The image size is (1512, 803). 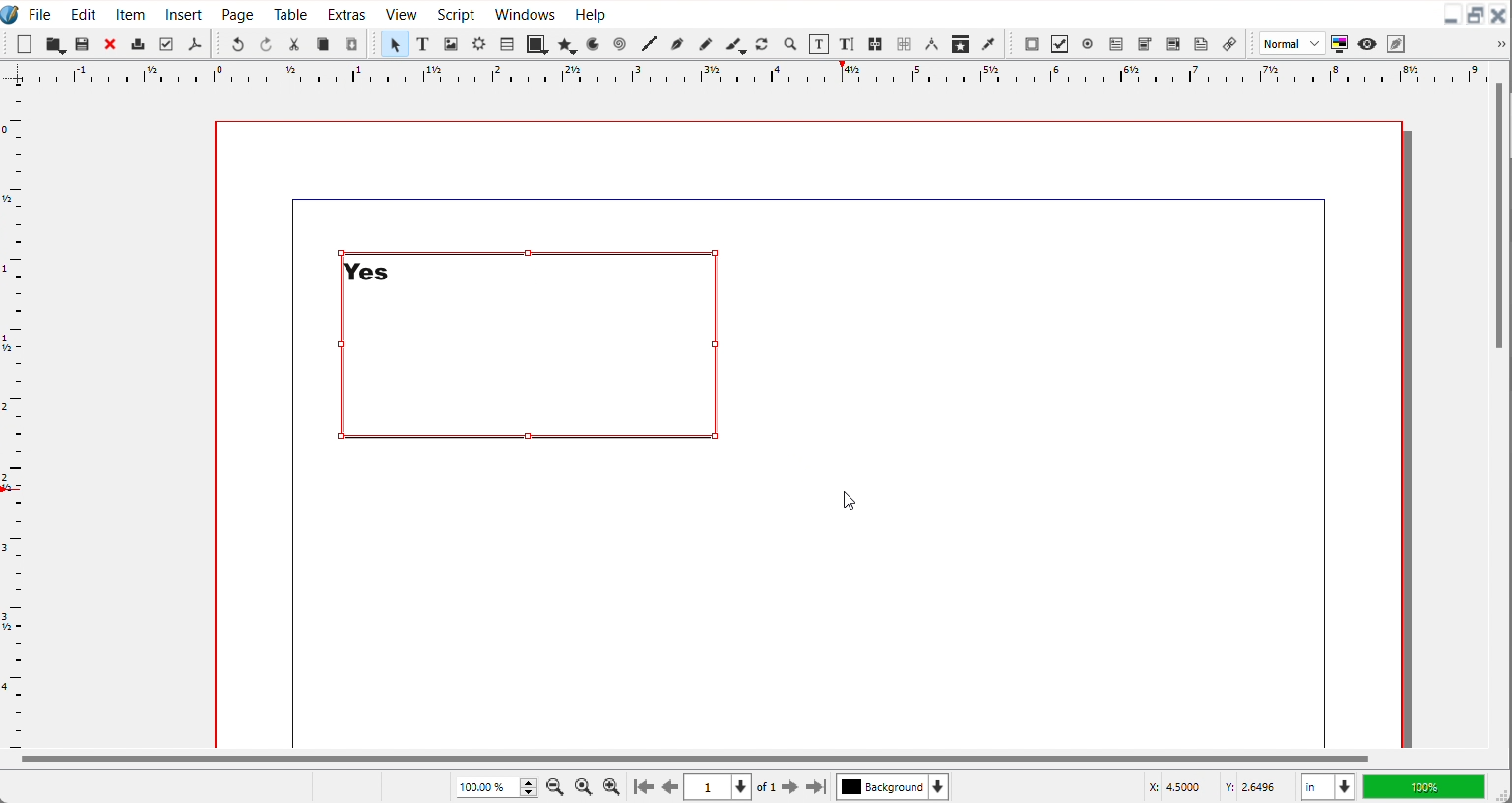 What do you see at coordinates (1216, 786) in the screenshot?
I see `X,Y Co-ordinate` at bounding box center [1216, 786].